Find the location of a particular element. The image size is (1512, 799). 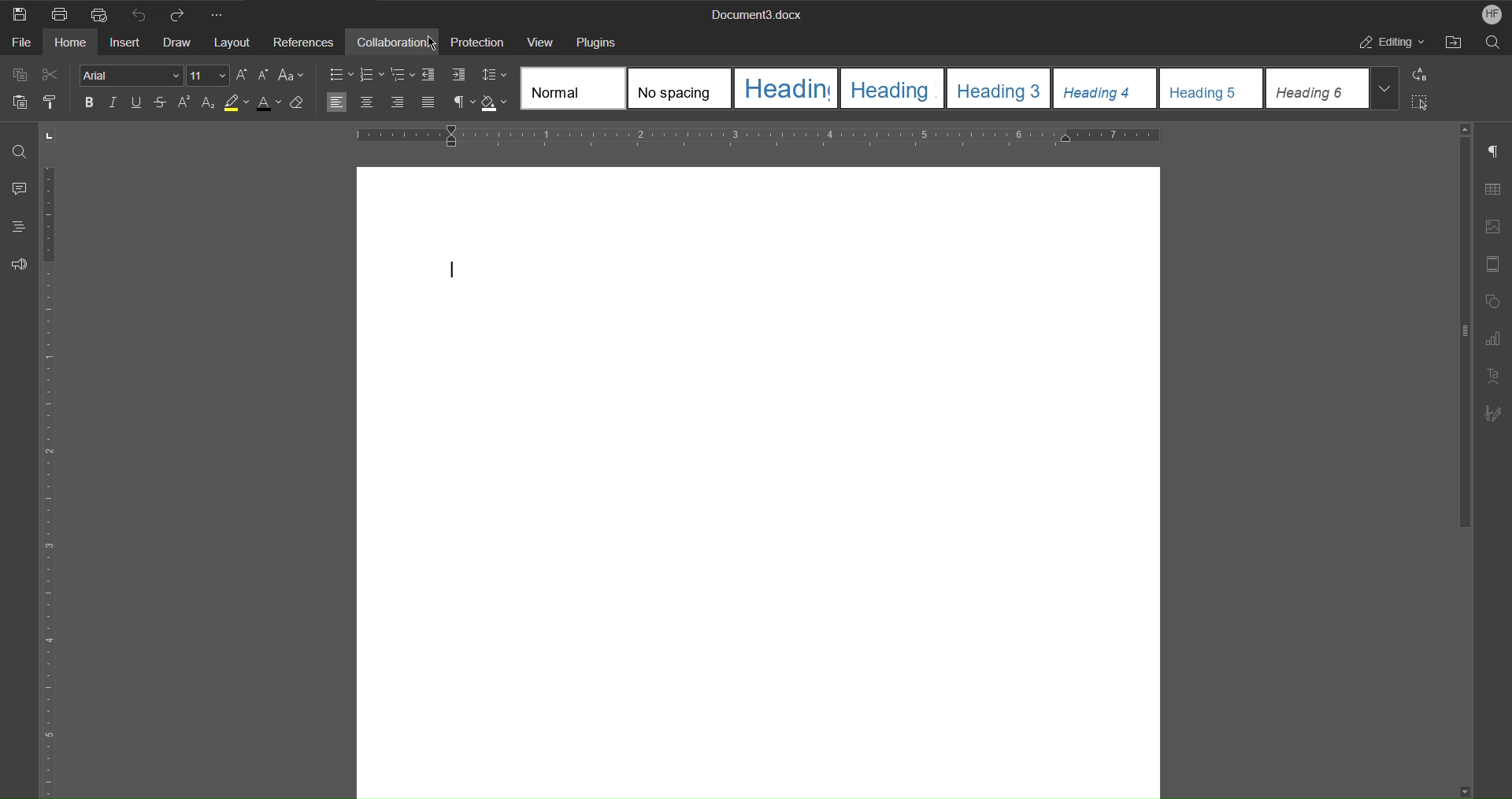

Align right is located at coordinates (398, 103).